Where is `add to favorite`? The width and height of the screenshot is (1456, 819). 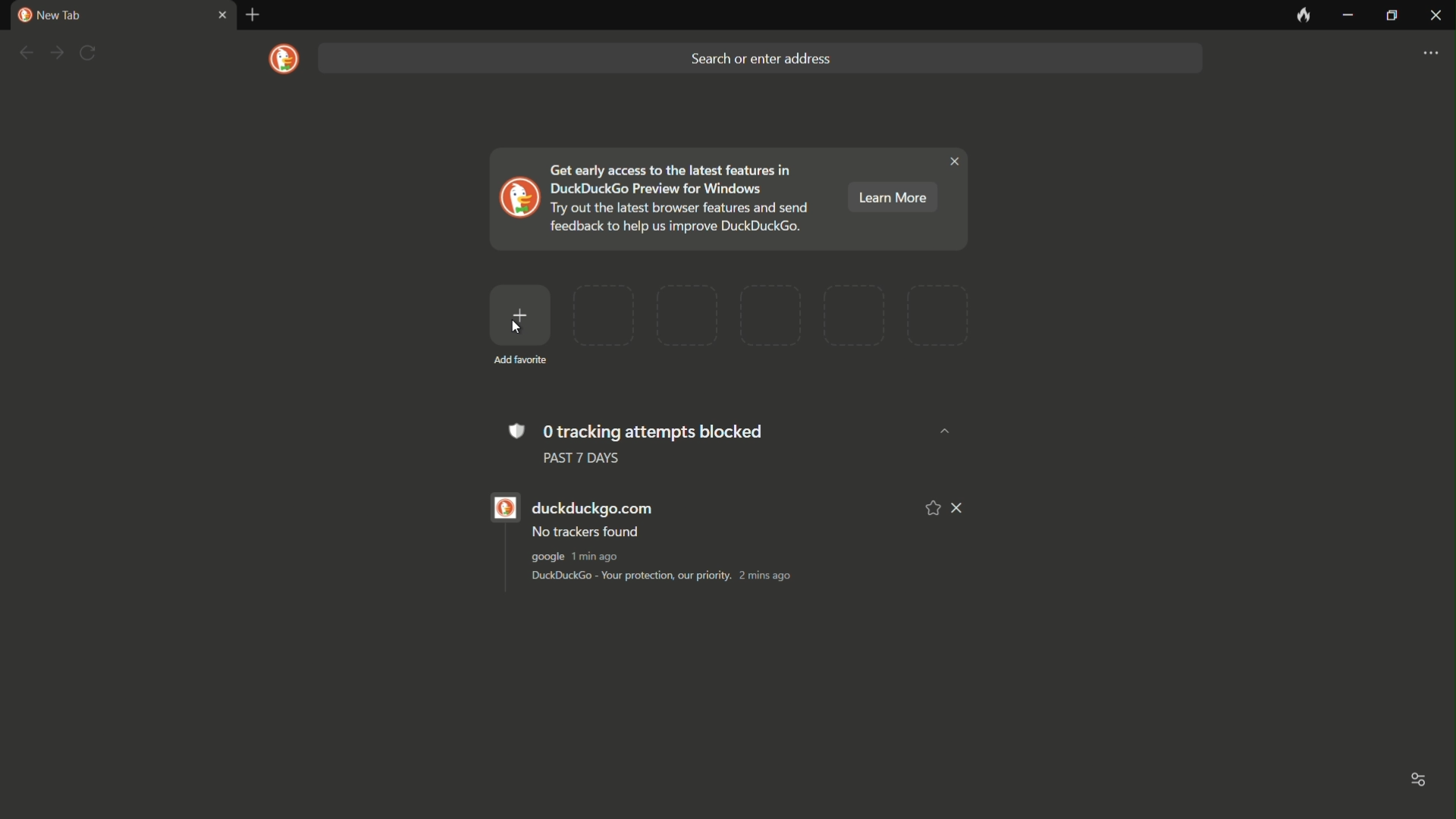
add to favorite is located at coordinates (934, 507).